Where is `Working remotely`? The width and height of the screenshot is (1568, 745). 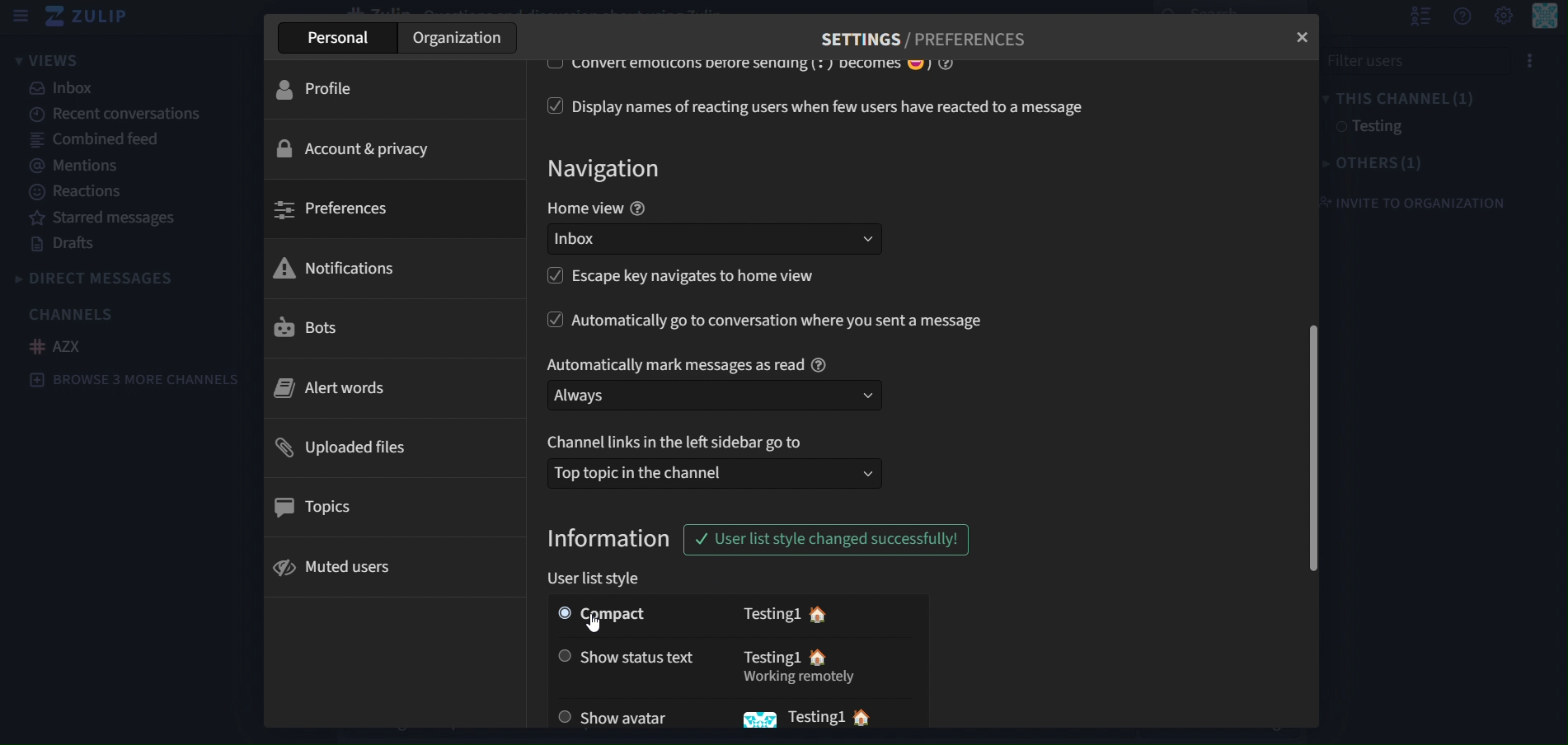
Working remotely is located at coordinates (800, 680).